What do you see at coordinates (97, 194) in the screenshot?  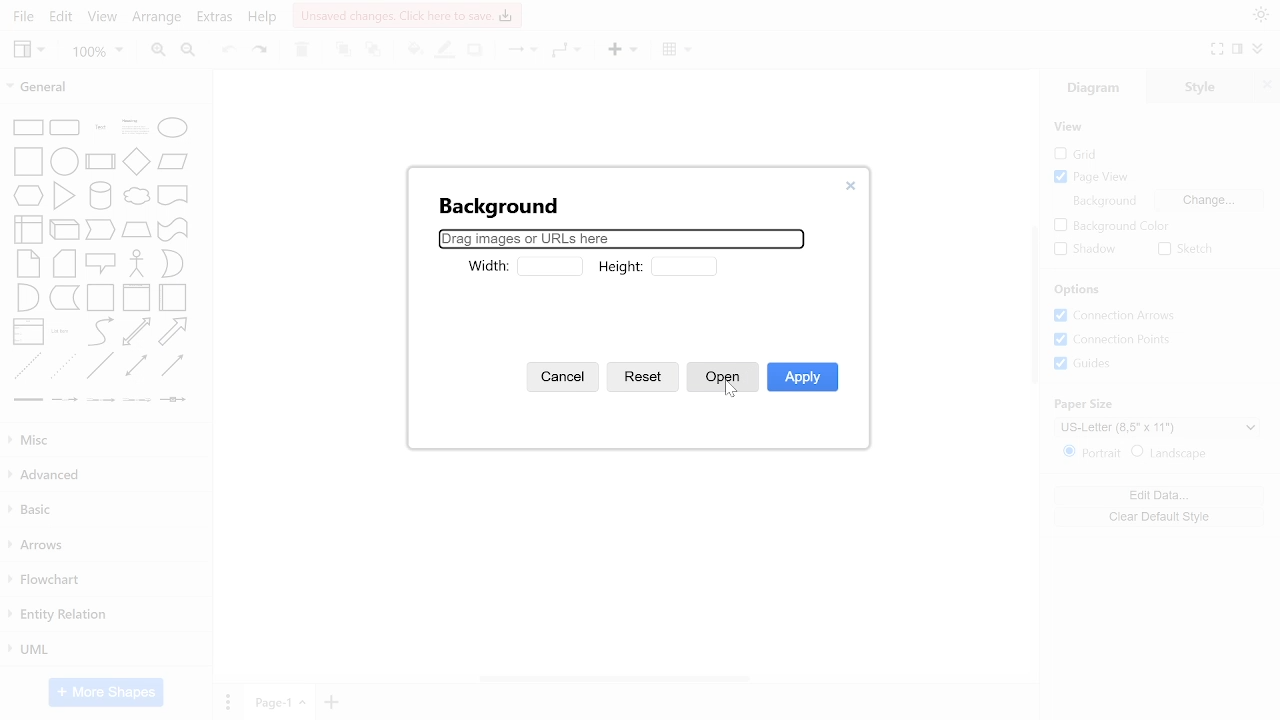 I see `general shapes` at bounding box center [97, 194].